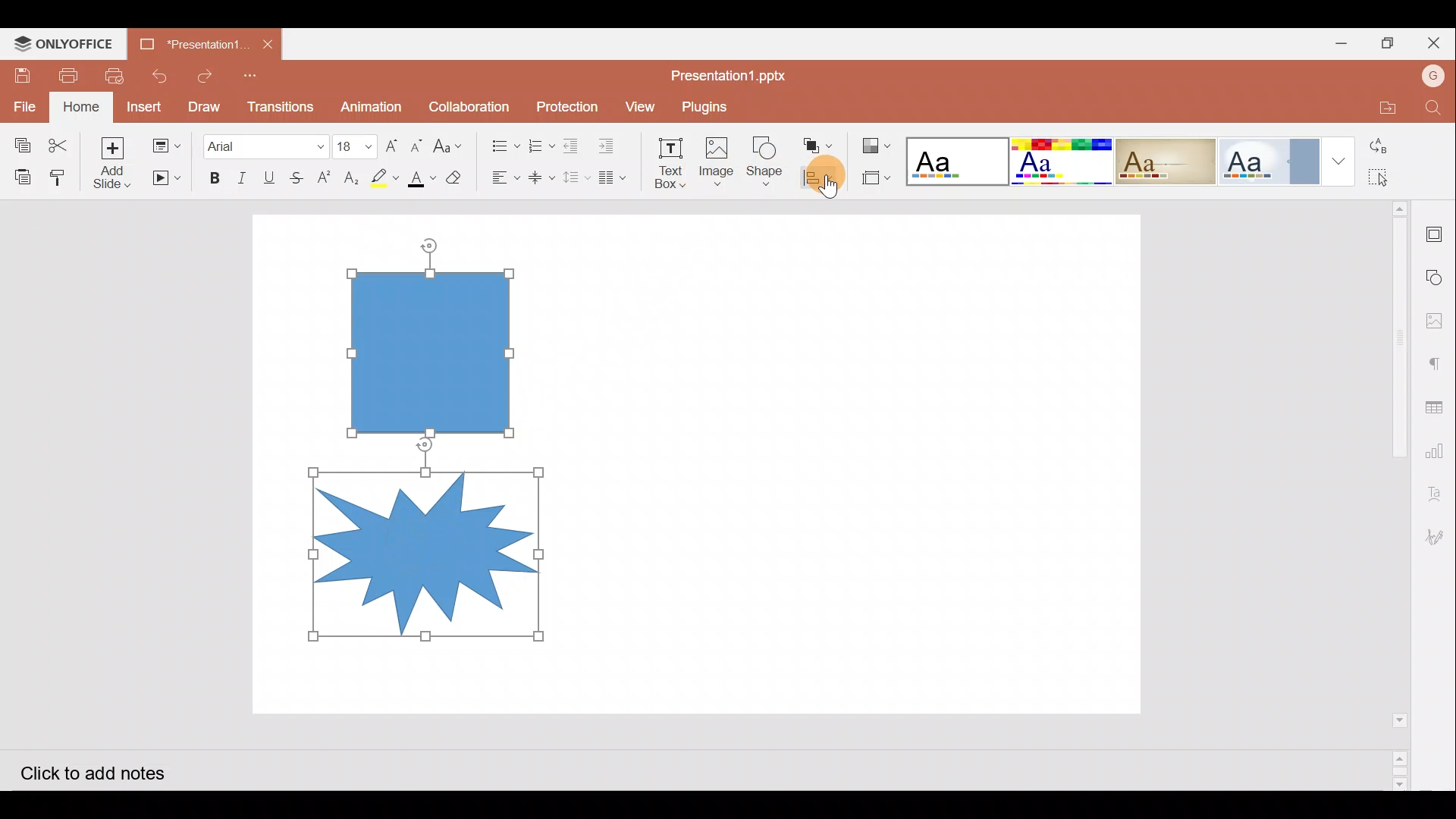  What do you see at coordinates (452, 145) in the screenshot?
I see `Change case` at bounding box center [452, 145].